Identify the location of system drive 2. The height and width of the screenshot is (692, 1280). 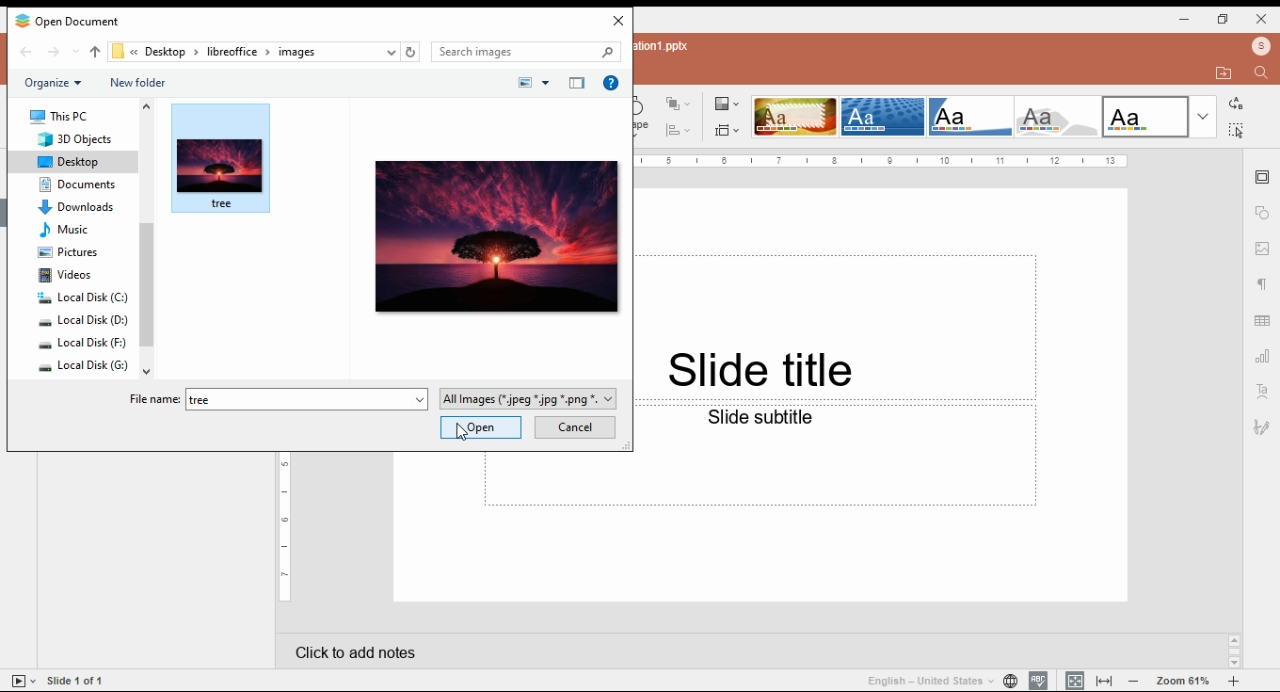
(85, 321).